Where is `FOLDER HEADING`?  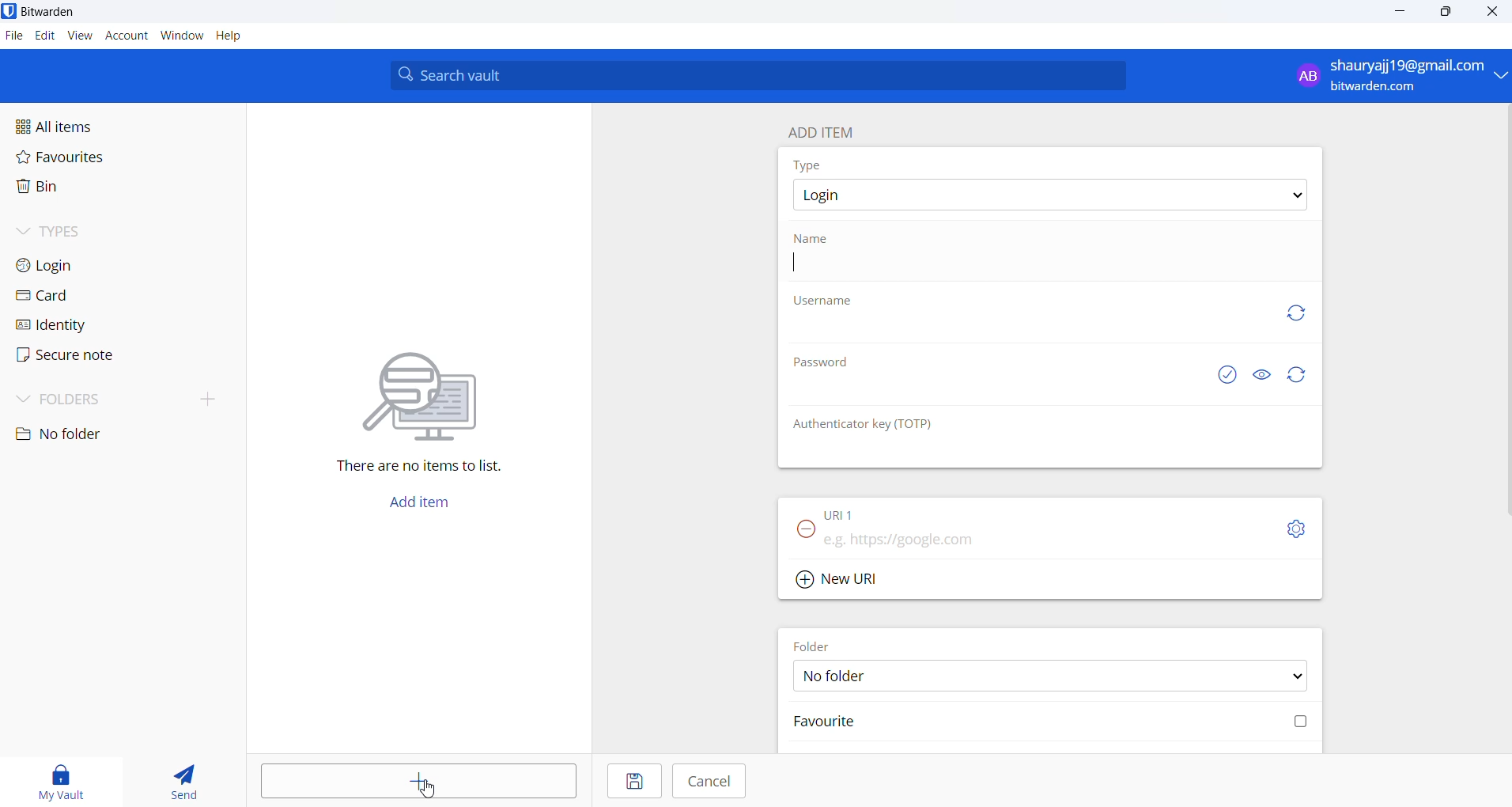
FOLDER HEADING is located at coordinates (811, 645).